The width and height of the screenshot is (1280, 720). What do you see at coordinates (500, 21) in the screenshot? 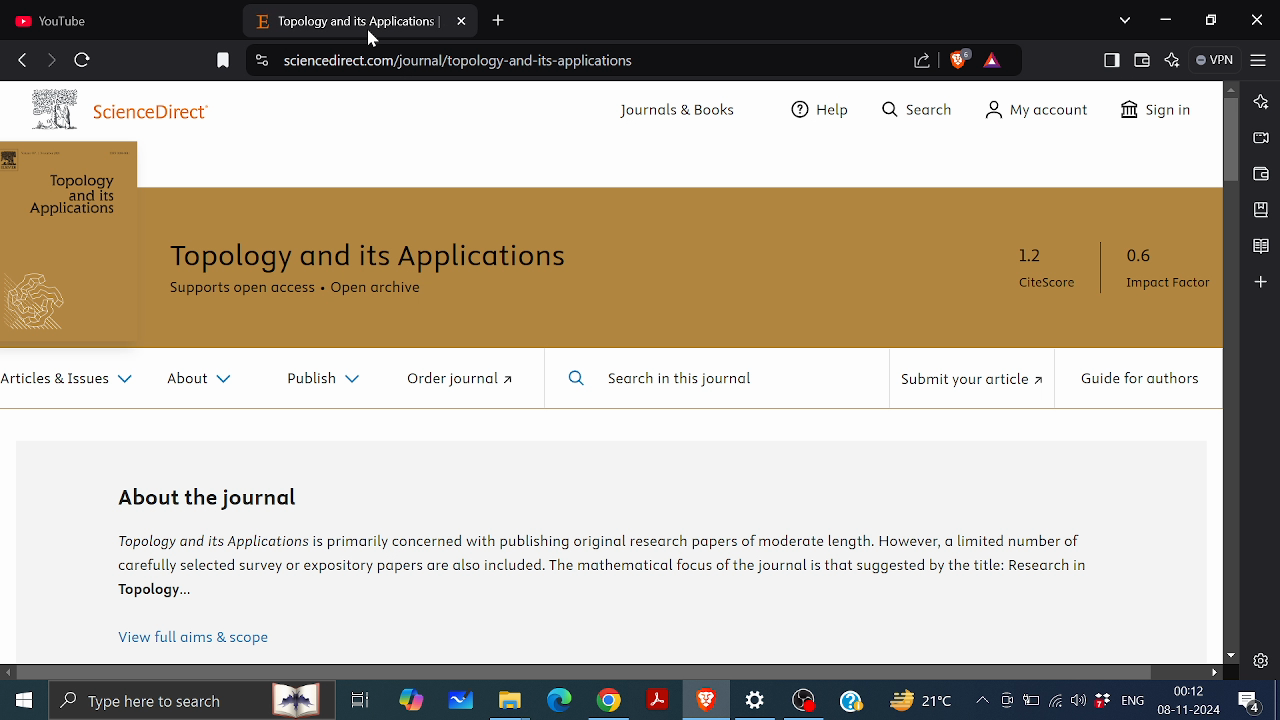
I see `Add new tab` at bounding box center [500, 21].